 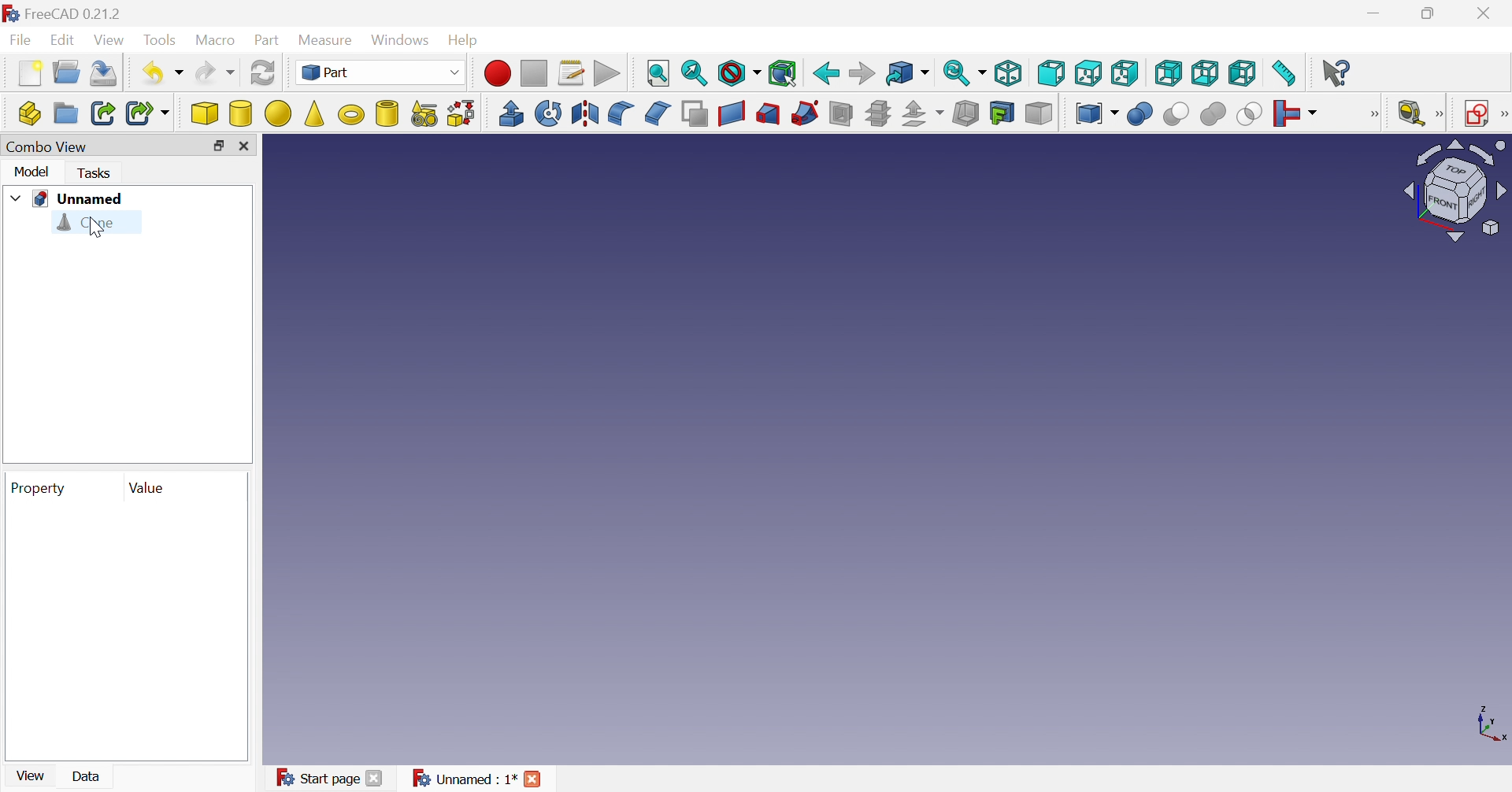 What do you see at coordinates (32, 171) in the screenshot?
I see `Model` at bounding box center [32, 171].